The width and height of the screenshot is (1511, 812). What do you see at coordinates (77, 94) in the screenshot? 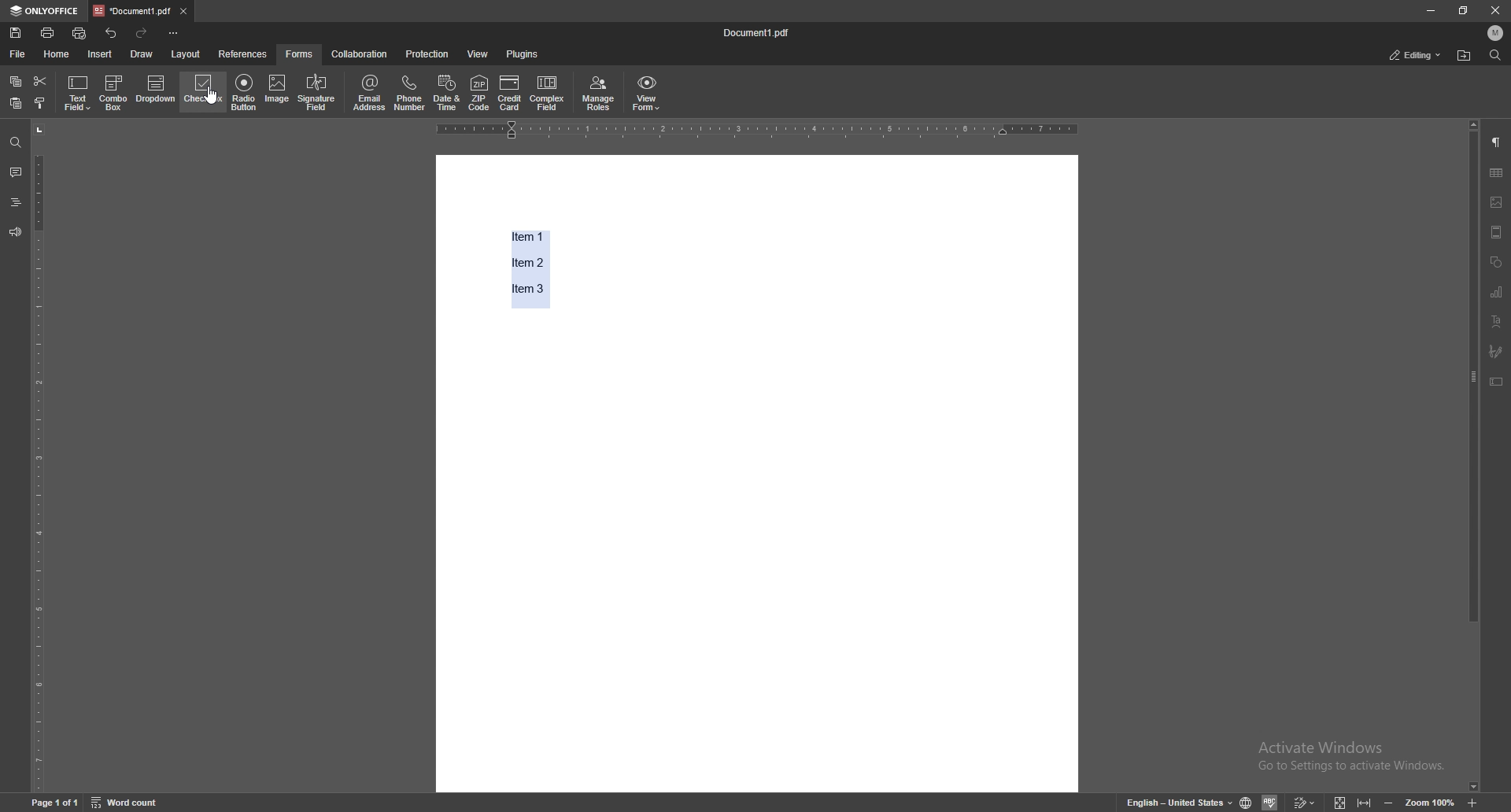
I see `text field` at bounding box center [77, 94].